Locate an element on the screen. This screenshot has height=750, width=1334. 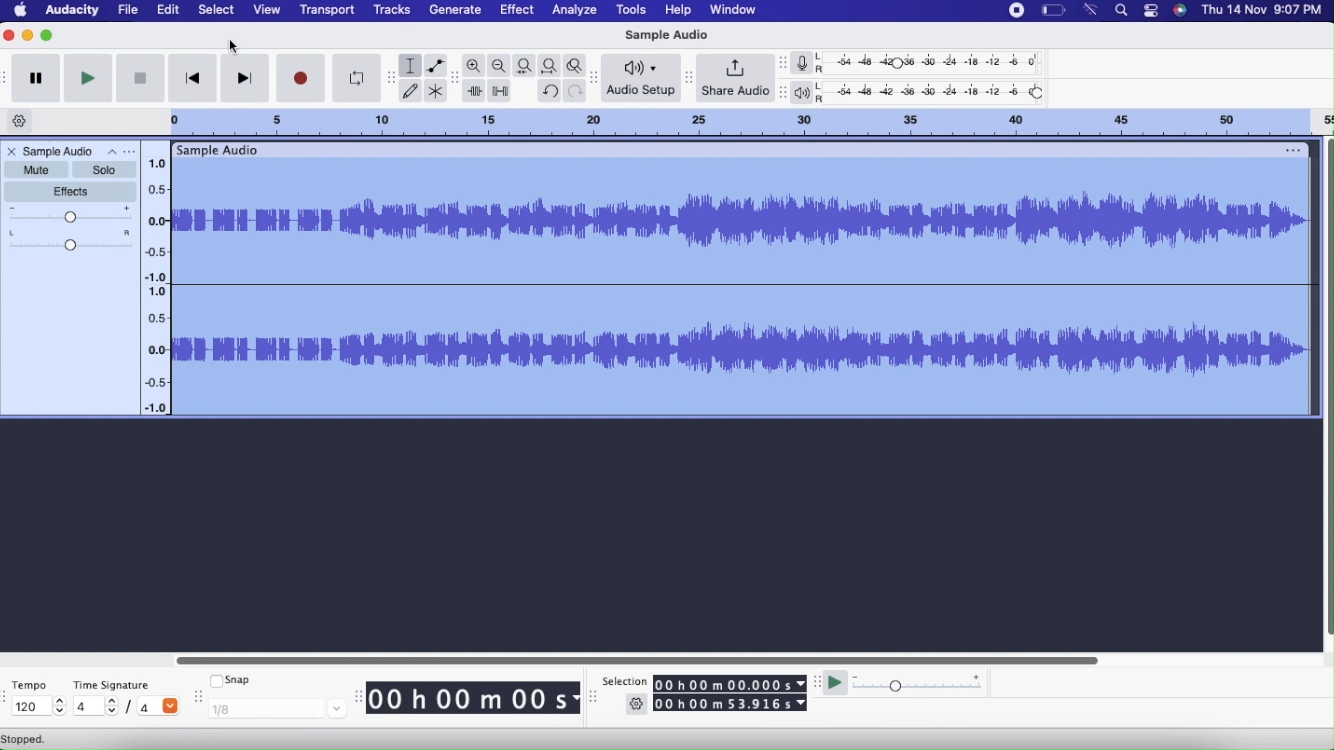
Stop is located at coordinates (1016, 11).